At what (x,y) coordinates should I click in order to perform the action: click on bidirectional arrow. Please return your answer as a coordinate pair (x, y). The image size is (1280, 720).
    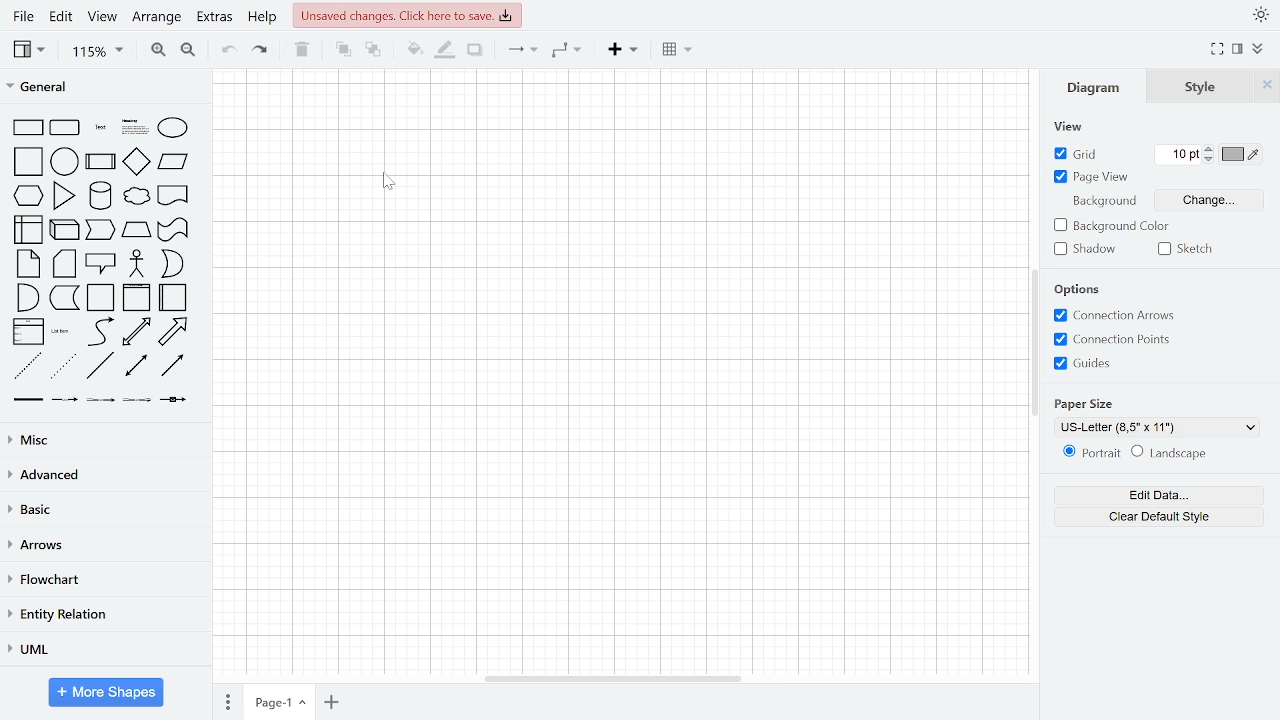
    Looking at the image, I should click on (139, 332).